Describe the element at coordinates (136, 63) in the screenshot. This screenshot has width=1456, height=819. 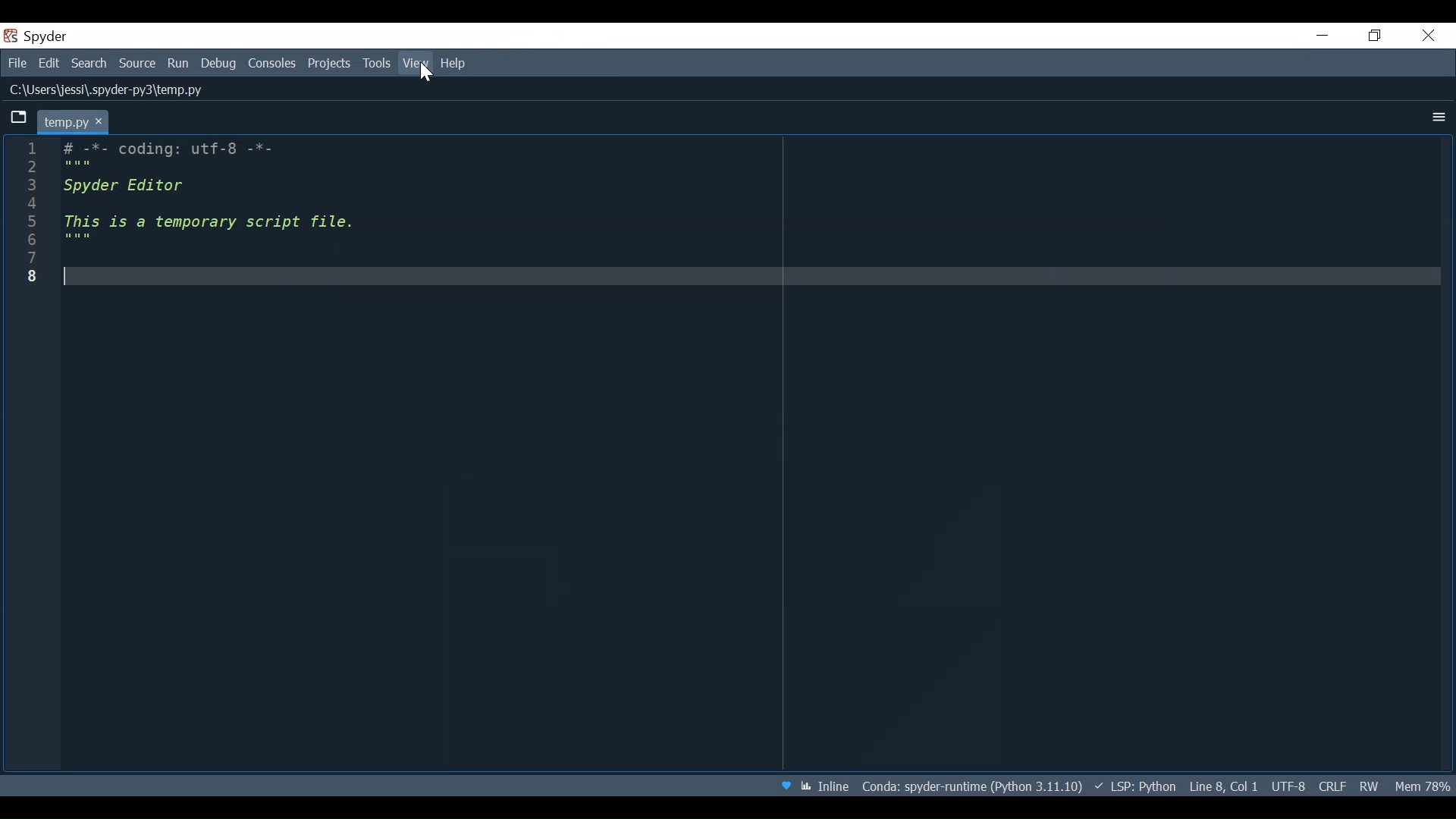
I see `Source` at that location.